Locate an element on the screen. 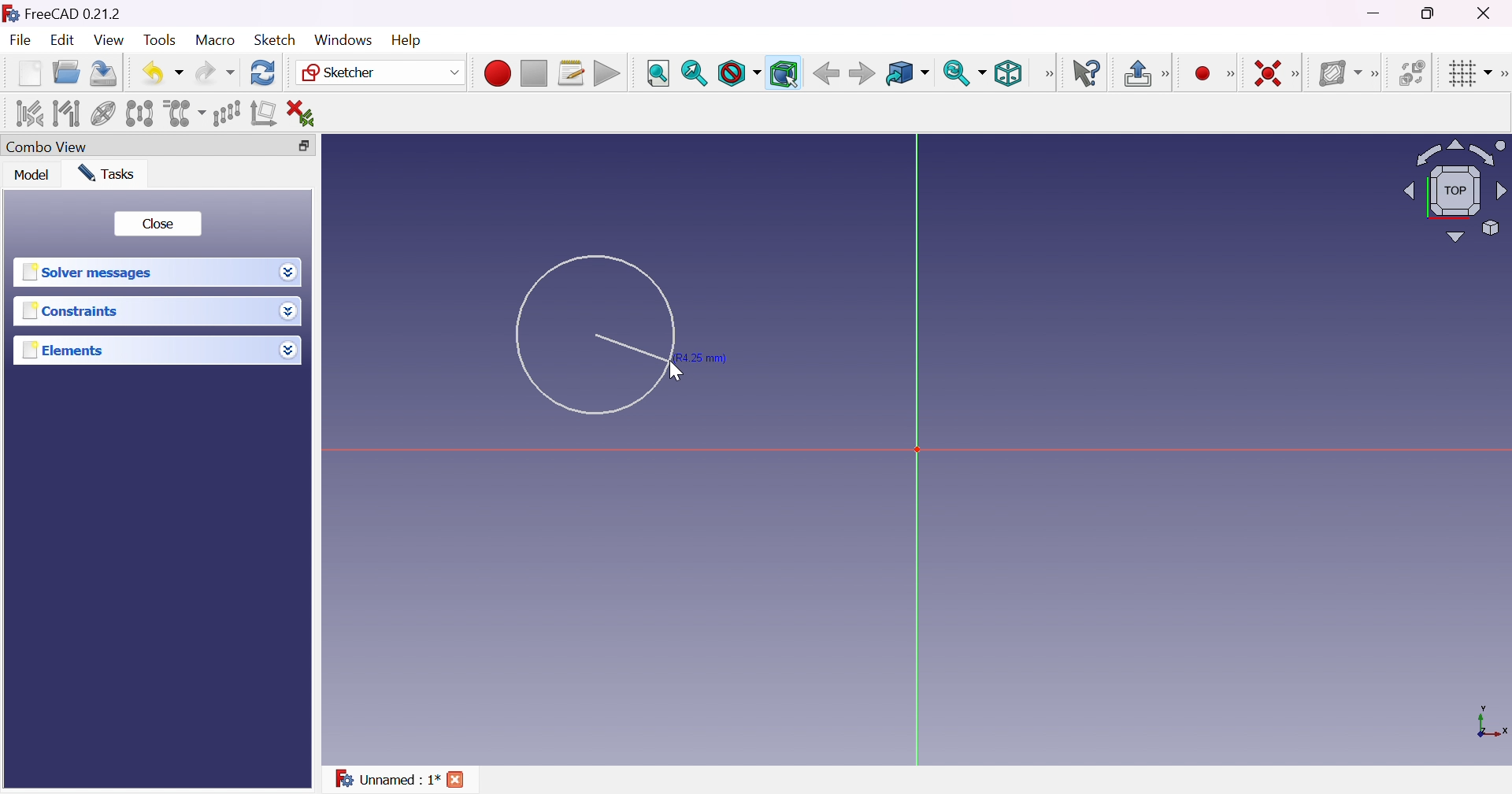 This screenshot has width=1512, height=794. Tools is located at coordinates (161, 41).